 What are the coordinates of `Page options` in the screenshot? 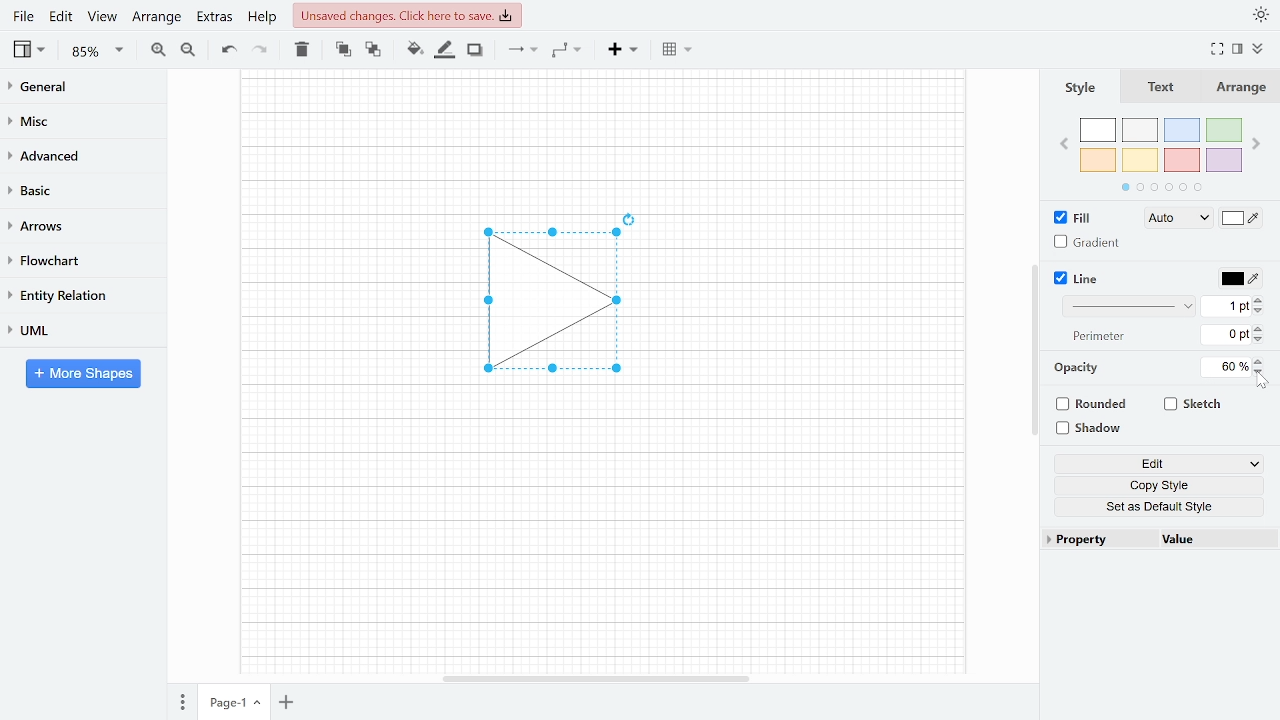 It's located at (260, 705).